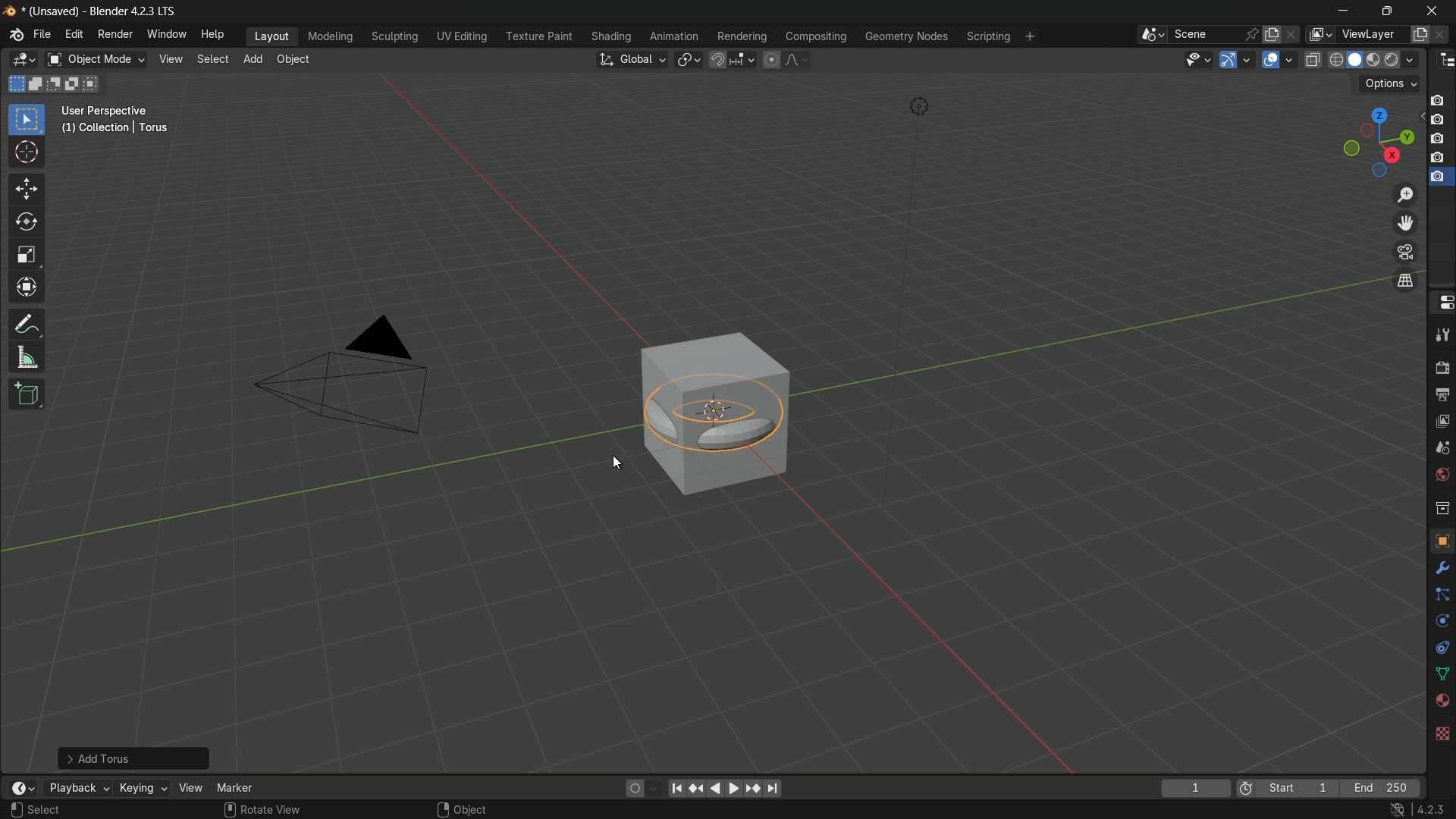 This screenshot has width=1456, height=819. I want to click on marker, so click(235, 787).